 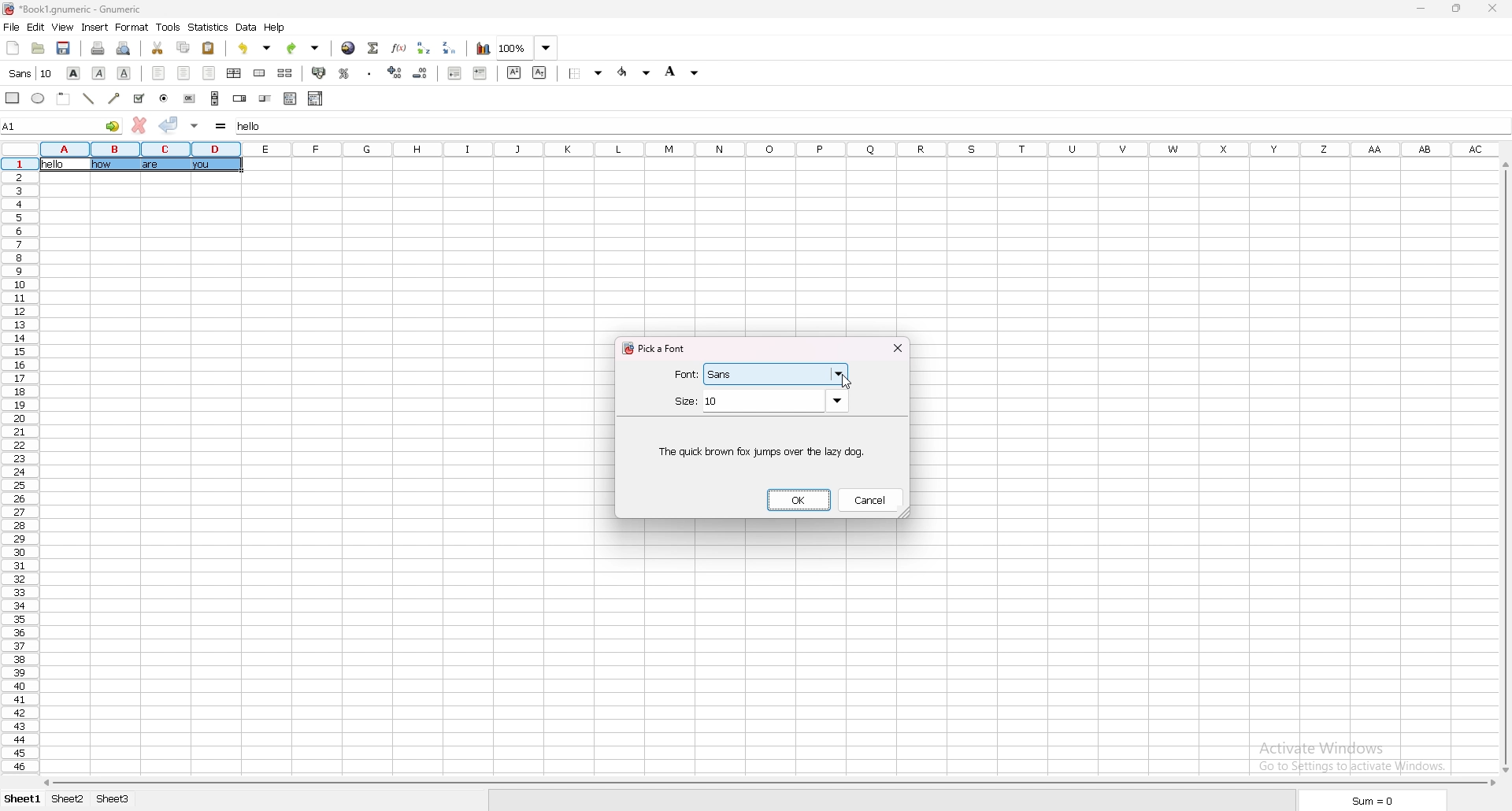 What do you see at coordinates (256, 126) in the screenshot?
I see `selected cell input` at bounding box center [256, 126].